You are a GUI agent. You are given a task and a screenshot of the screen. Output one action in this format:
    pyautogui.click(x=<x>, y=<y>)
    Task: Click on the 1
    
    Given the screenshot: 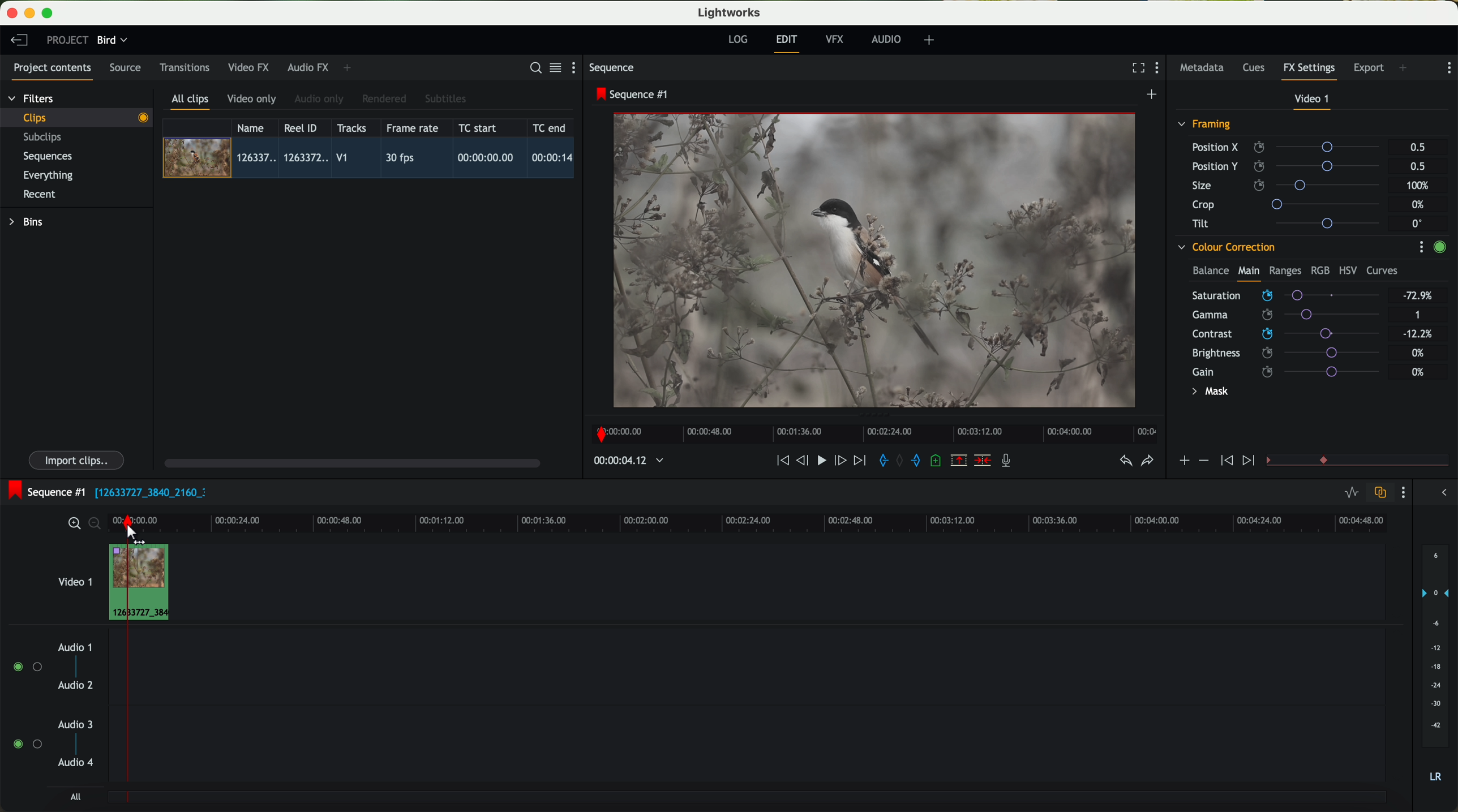 What is the action you would take?
    pyautogui.click(x=1418, y=316)
    